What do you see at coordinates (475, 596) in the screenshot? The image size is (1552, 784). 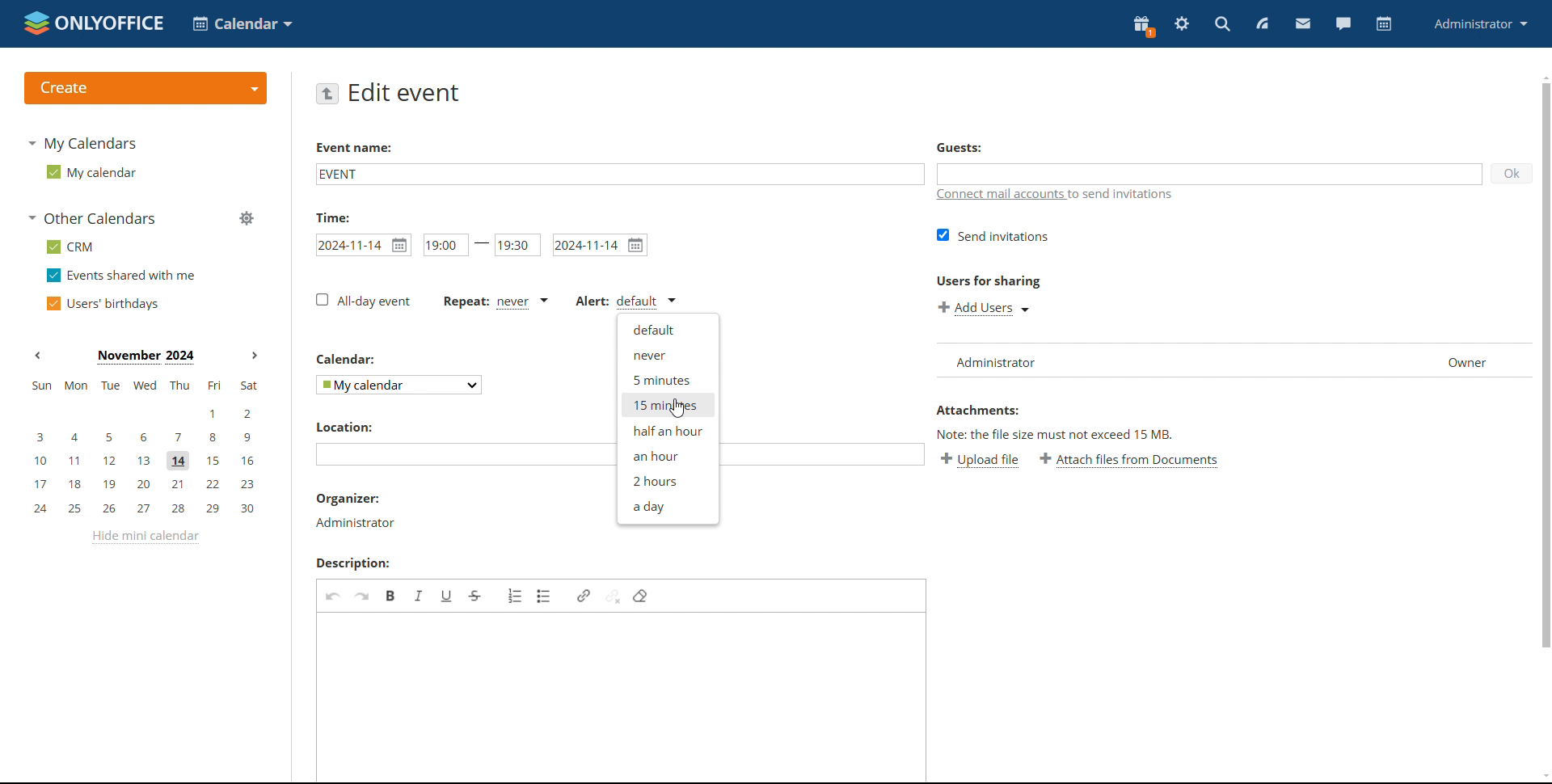 I see `strikethrough` at bounding box center [475, 596].